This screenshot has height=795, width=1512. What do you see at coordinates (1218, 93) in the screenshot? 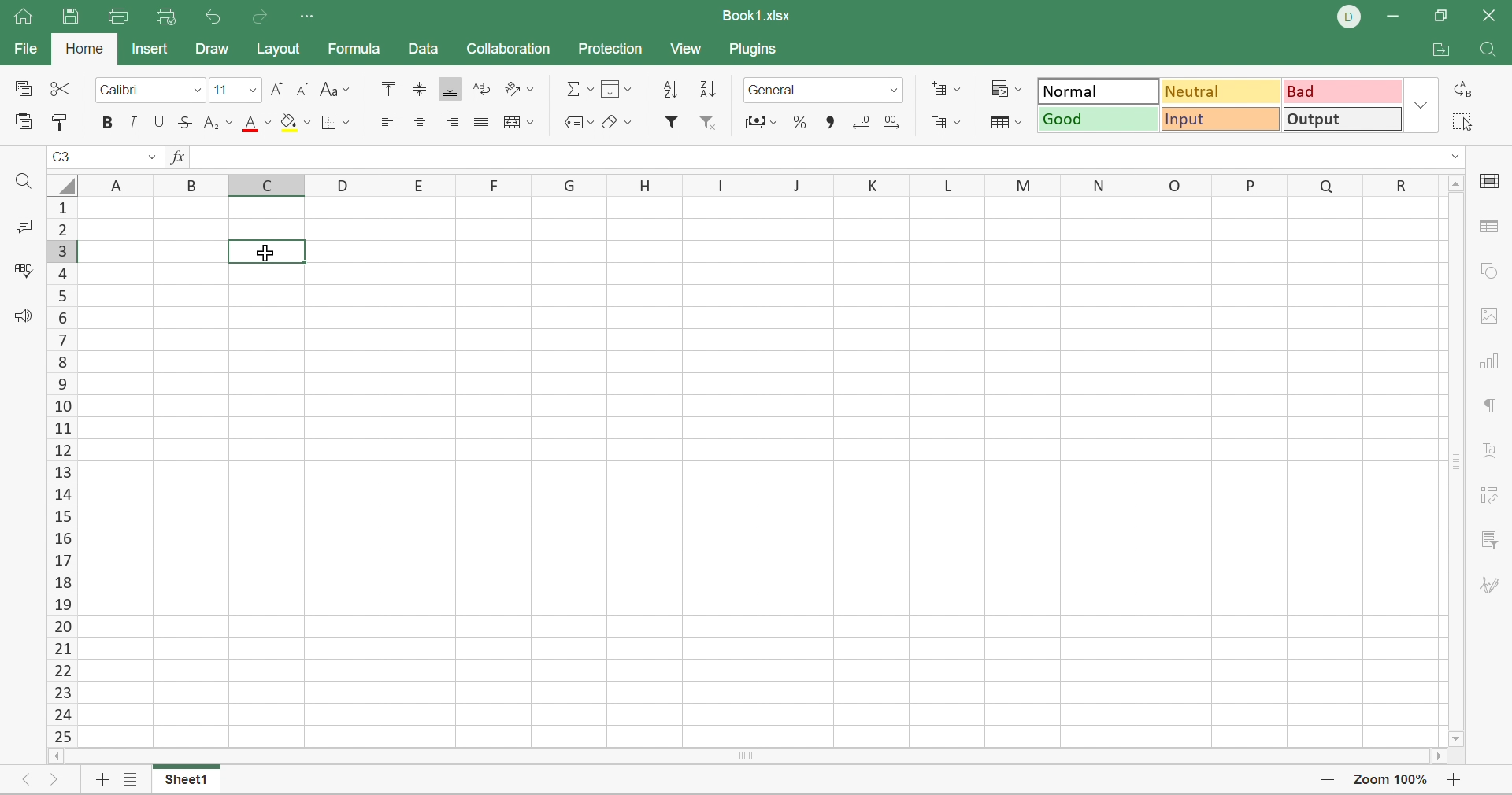
I see `Neutral` at bounding box center [1218, 93].